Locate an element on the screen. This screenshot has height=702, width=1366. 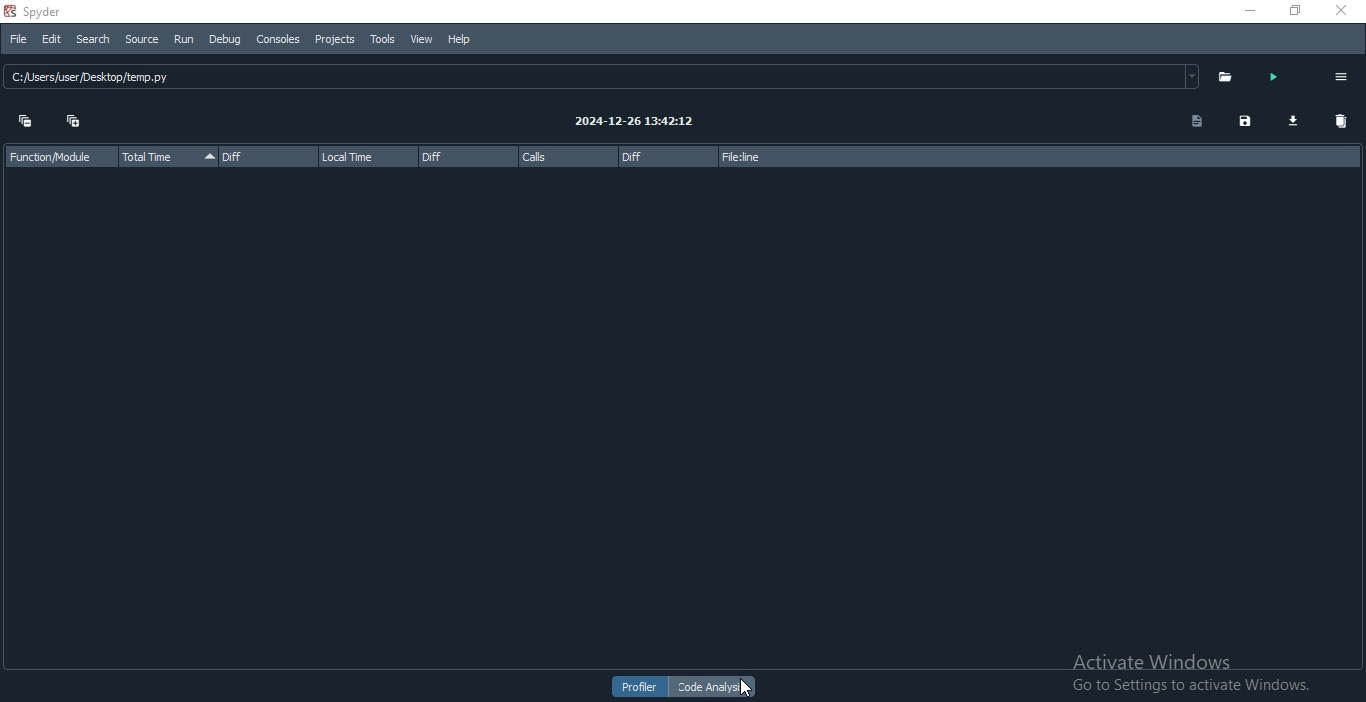
function/module is located at coordinates (57, 155).